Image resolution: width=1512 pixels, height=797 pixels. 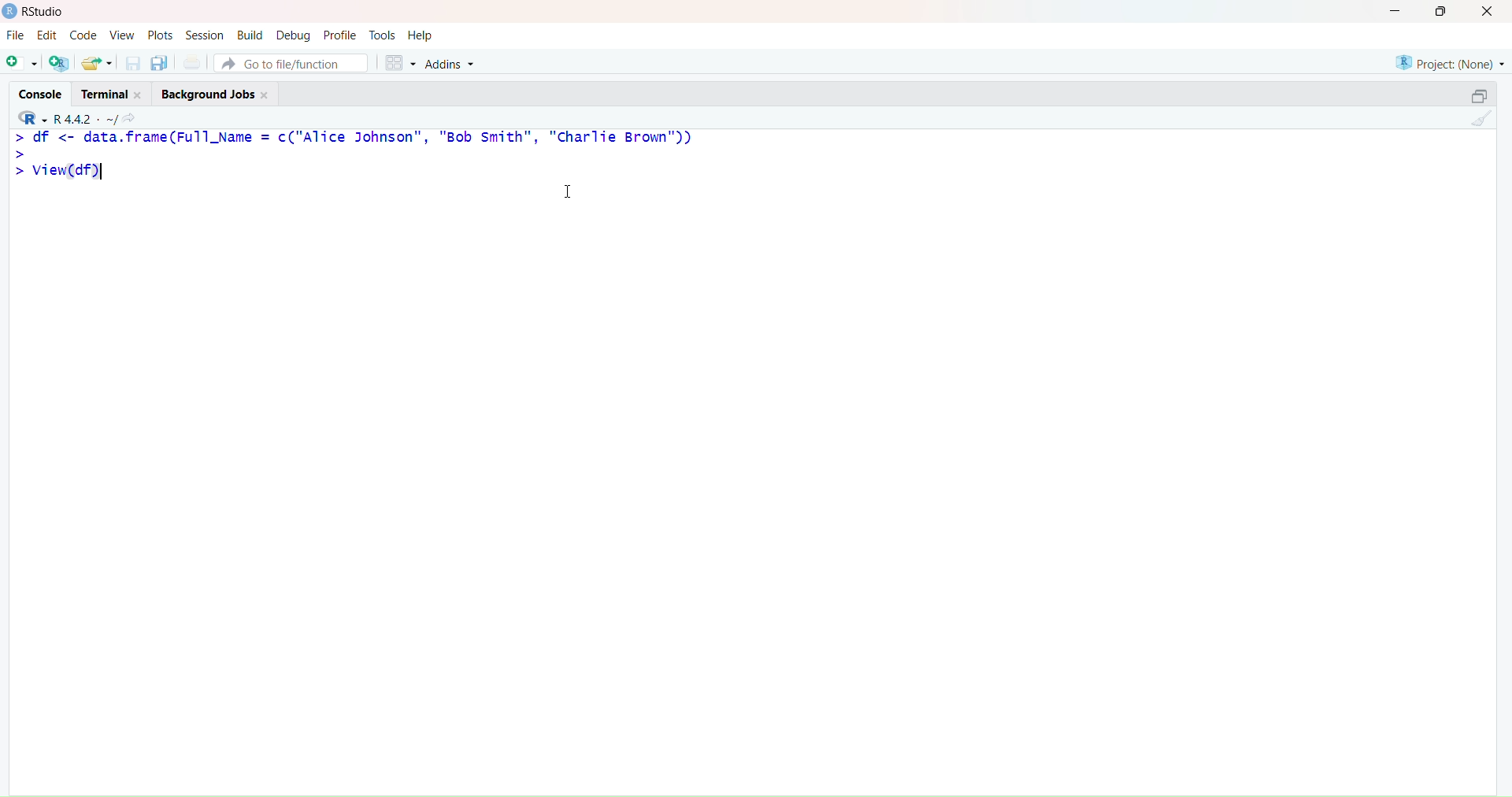 I want to click on Help, so click(x=421, y=34).